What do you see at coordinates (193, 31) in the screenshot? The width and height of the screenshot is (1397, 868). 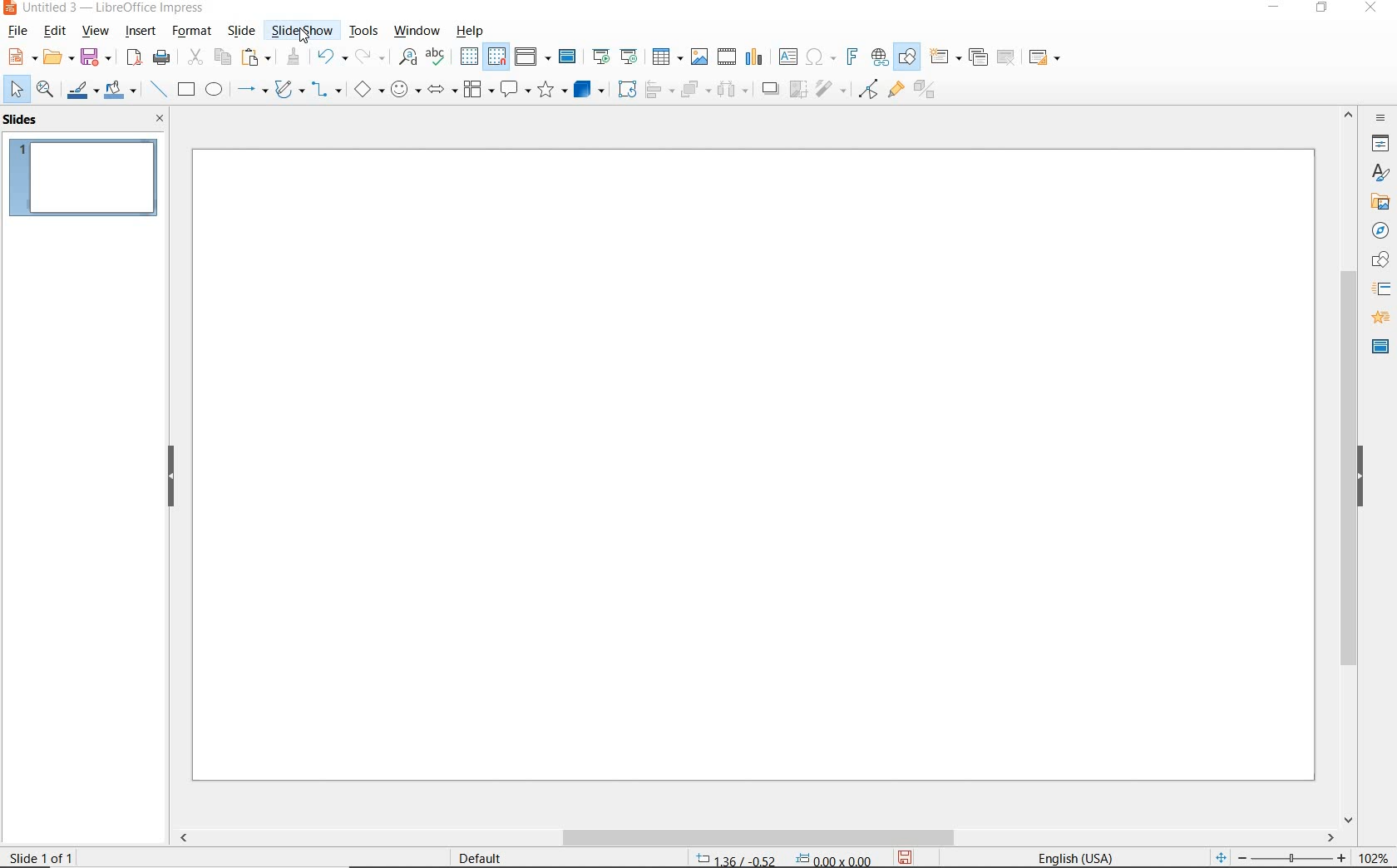 I see `FORMAT` at bounding box center [193, 31].